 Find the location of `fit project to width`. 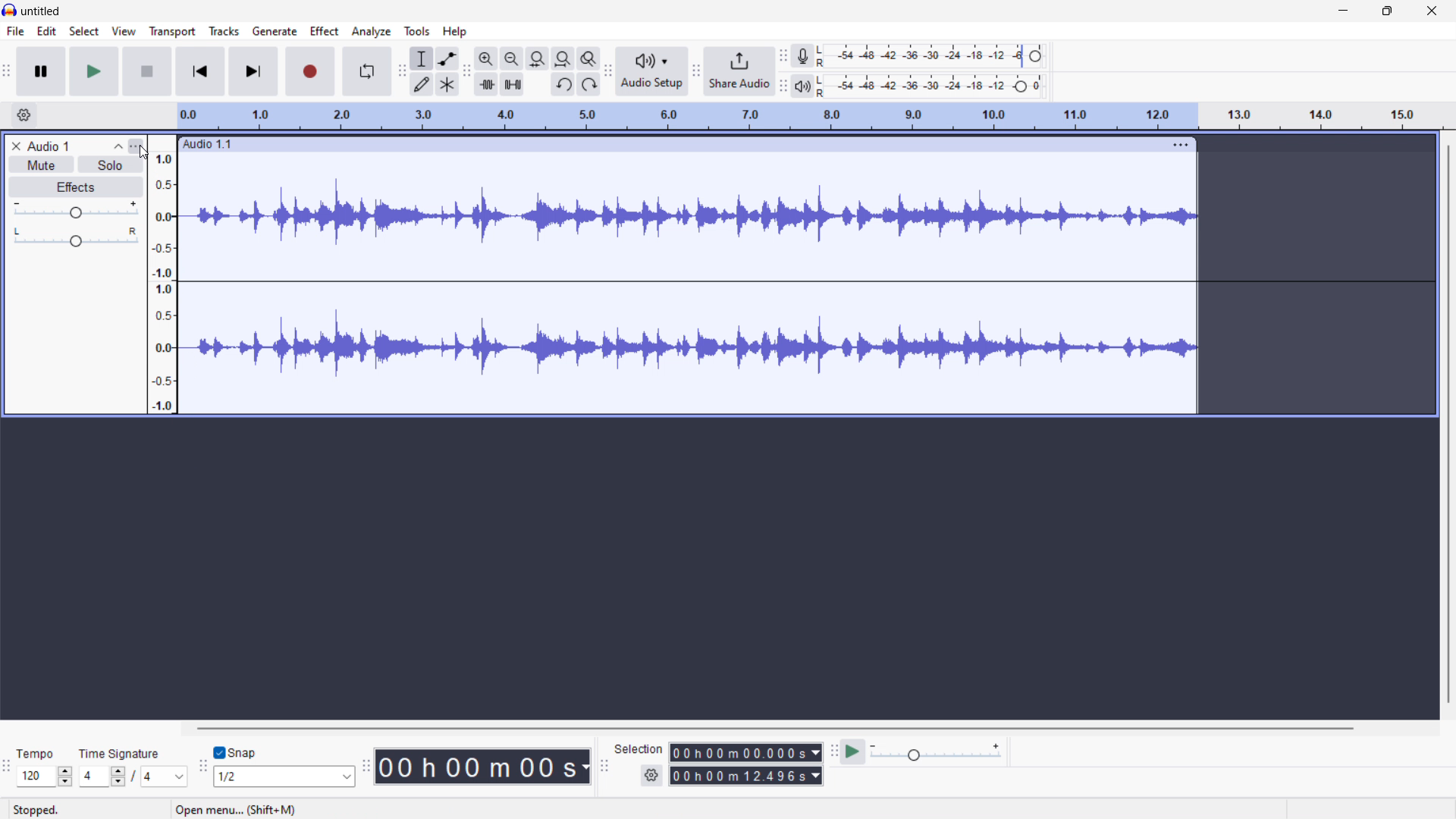

fit project to width is located at coordinates (563, 58).